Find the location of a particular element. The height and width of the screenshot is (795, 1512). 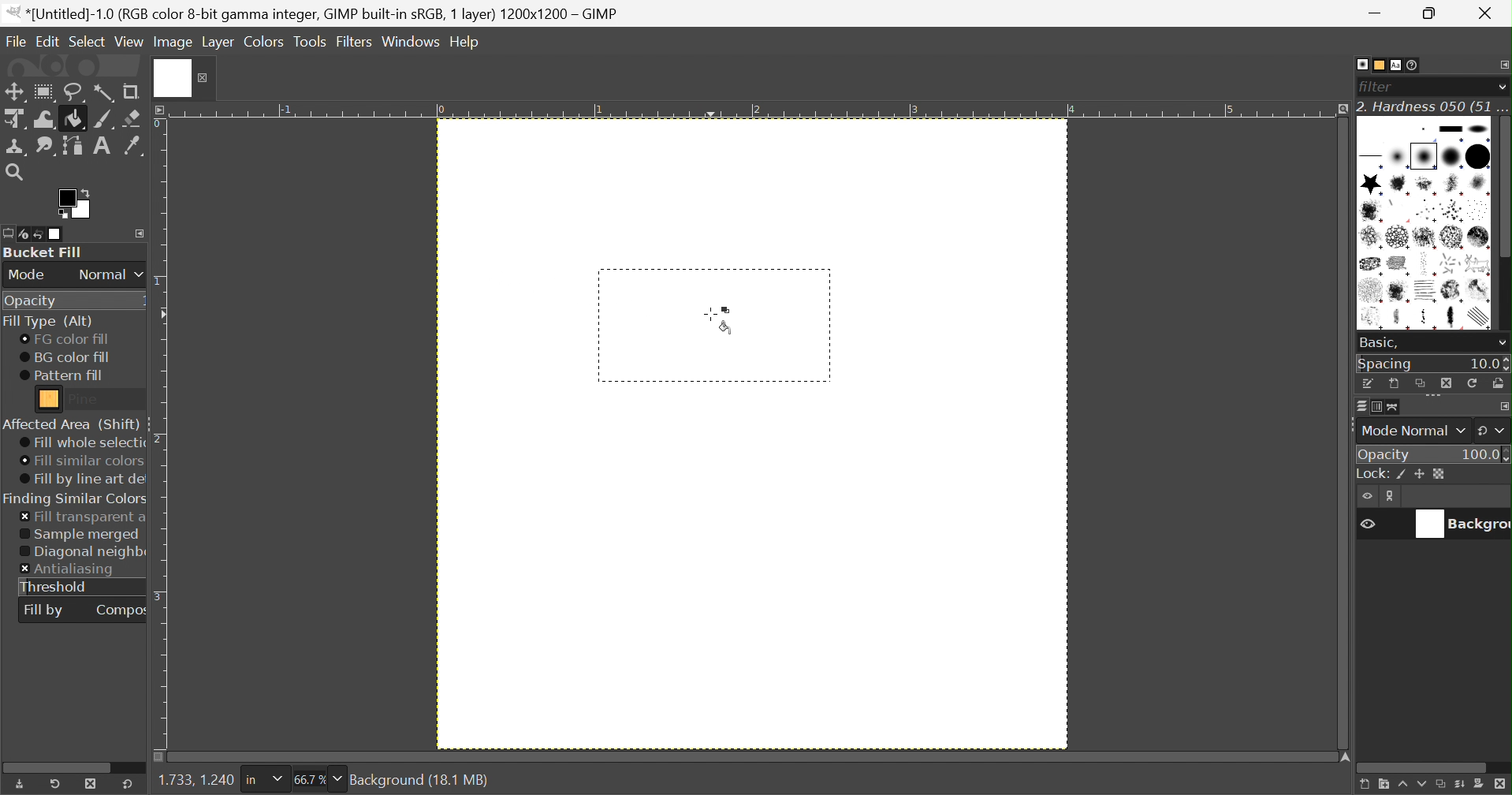

Pencil 03 is located at coordinates (1455, 319).